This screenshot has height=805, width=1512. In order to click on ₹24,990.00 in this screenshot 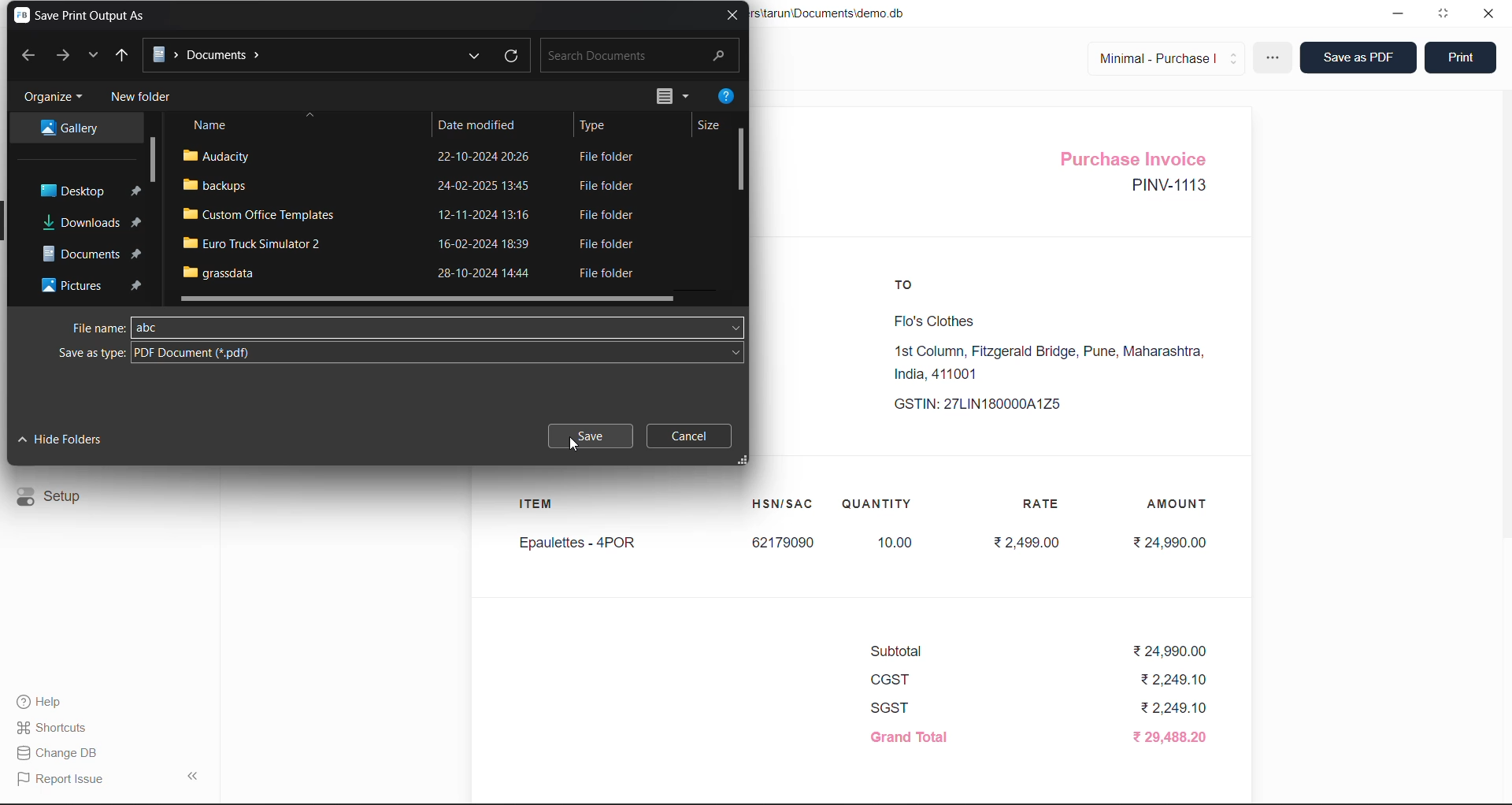, I will do `click(1177, 544)`.